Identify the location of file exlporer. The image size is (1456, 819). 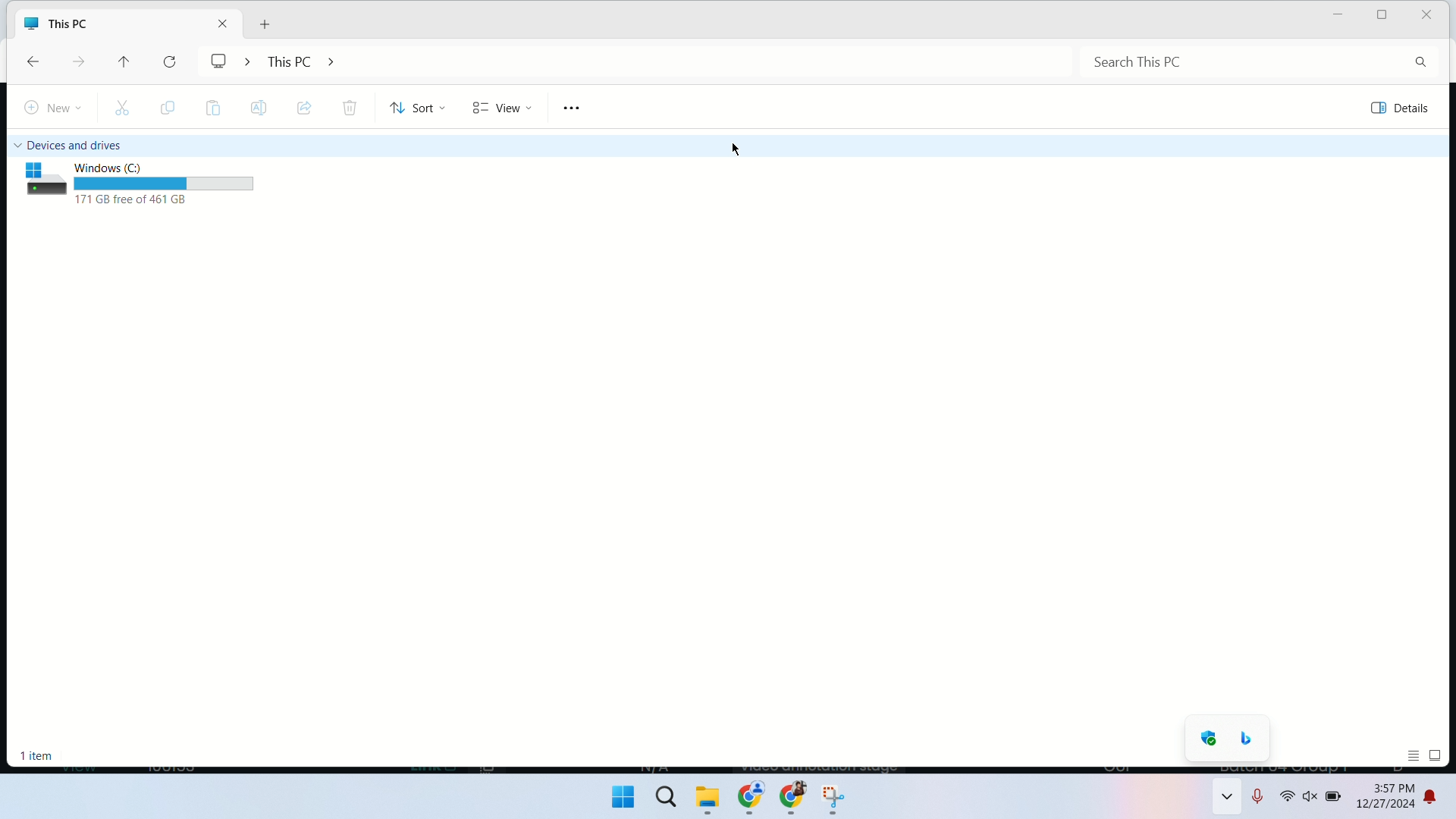
(711, 800).